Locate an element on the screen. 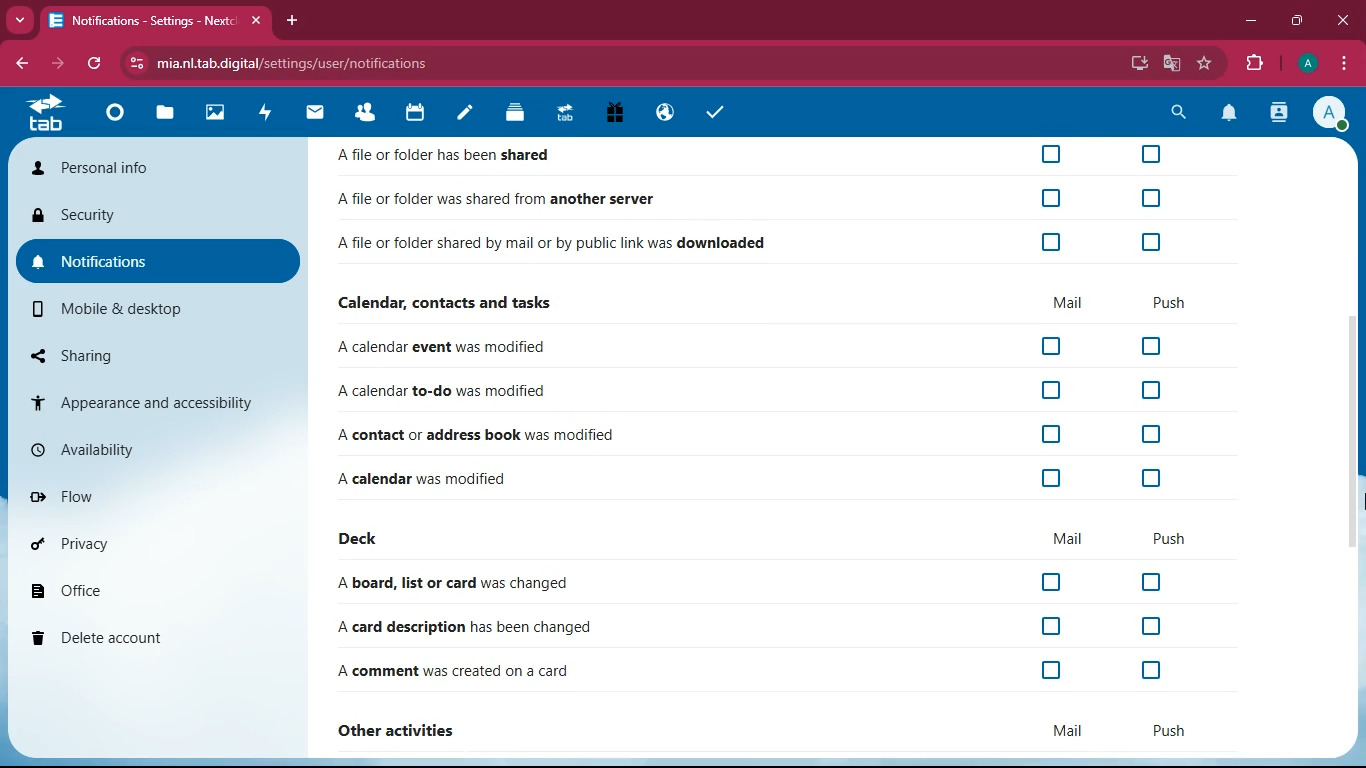 The width and height of the screenshot is (1366, 768). off is located at coordinates (1154, 581).